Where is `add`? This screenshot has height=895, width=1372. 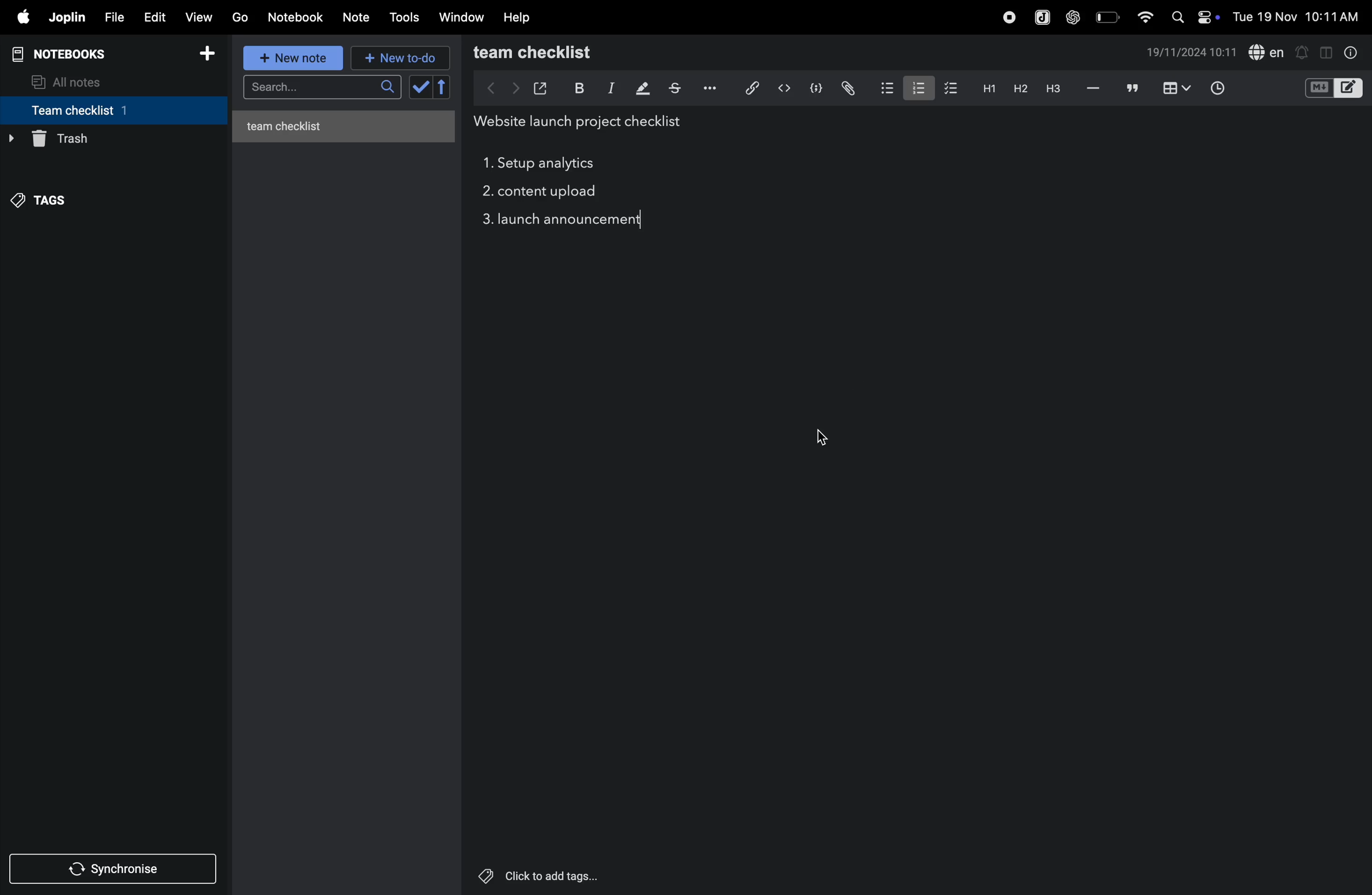
add is located at coordinates (212, 54).